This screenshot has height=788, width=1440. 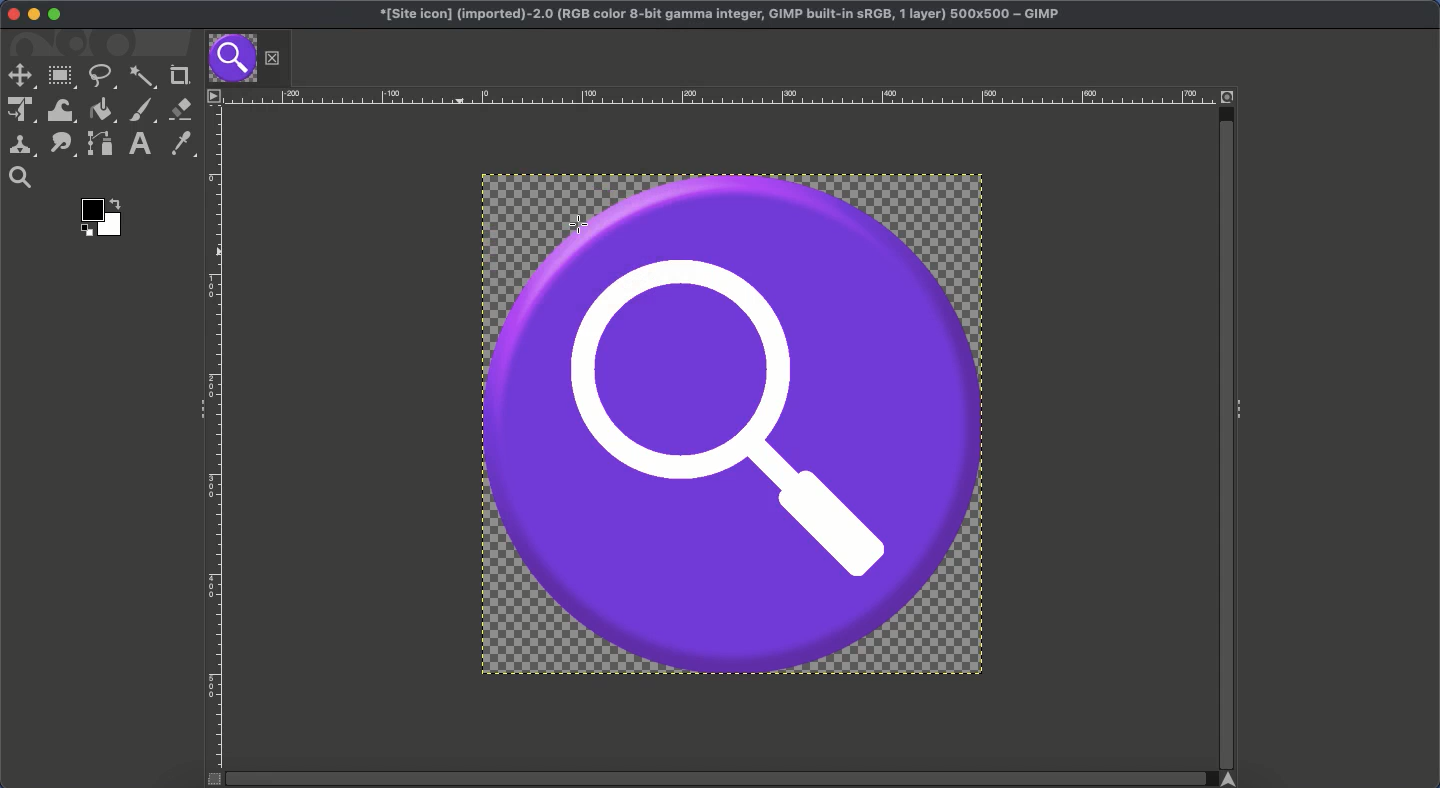 I want to click on Eraser, so click(x=180, y=109).